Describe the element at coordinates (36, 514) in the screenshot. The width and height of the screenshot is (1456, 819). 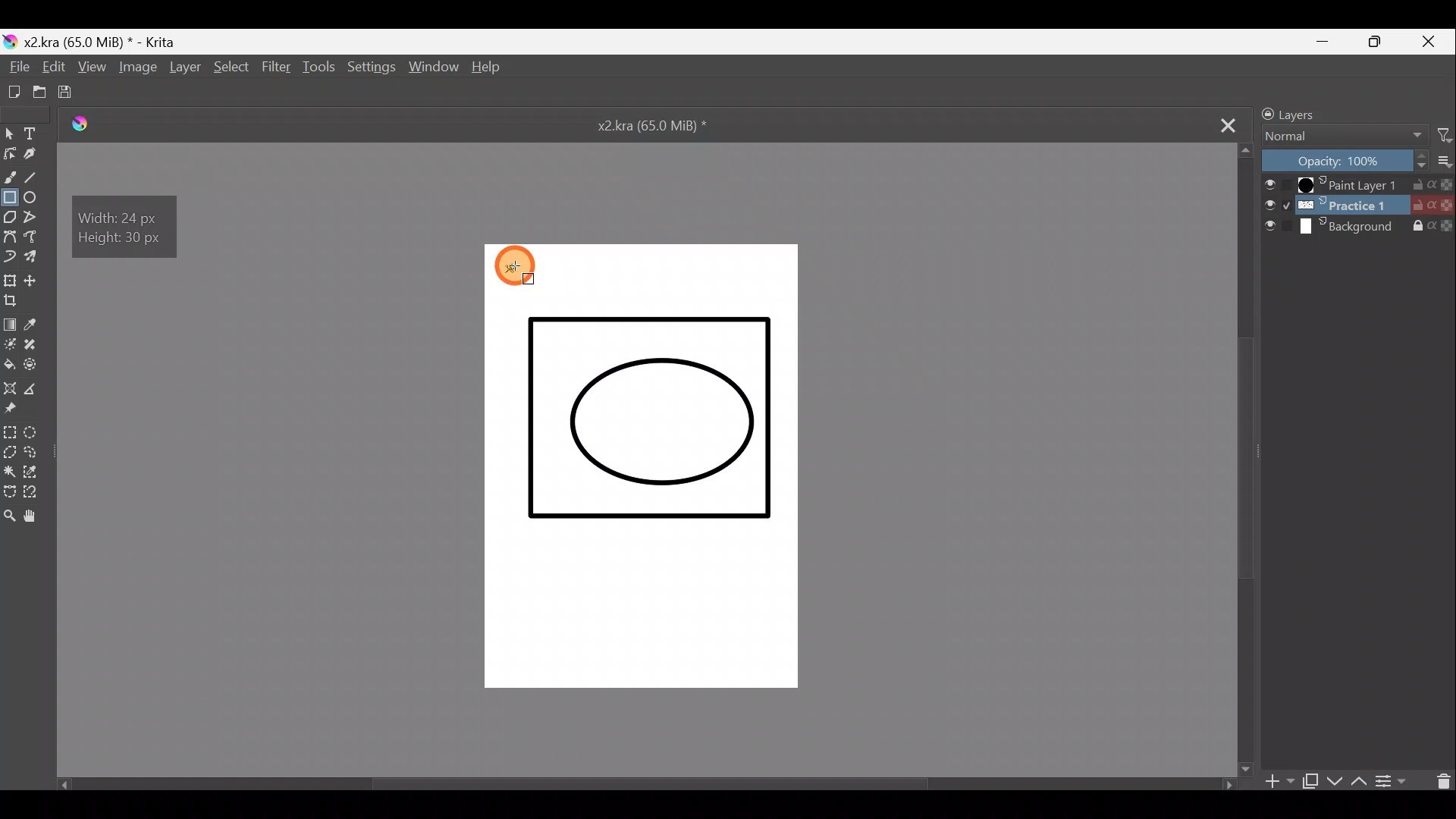
I see `Pan tool` at that location.